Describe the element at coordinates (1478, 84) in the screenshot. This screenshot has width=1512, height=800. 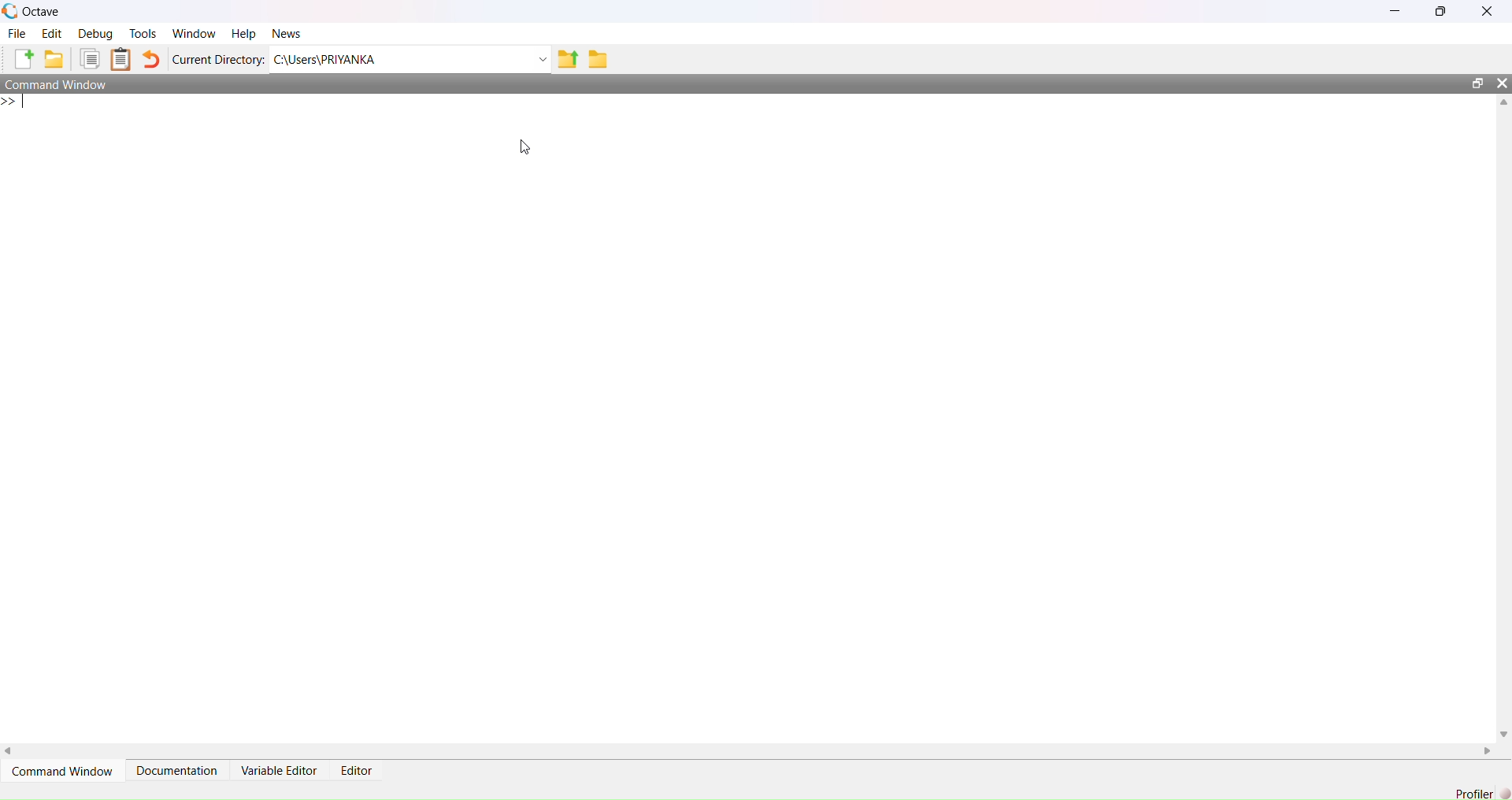
I see `Maximize/Restore` at that location.